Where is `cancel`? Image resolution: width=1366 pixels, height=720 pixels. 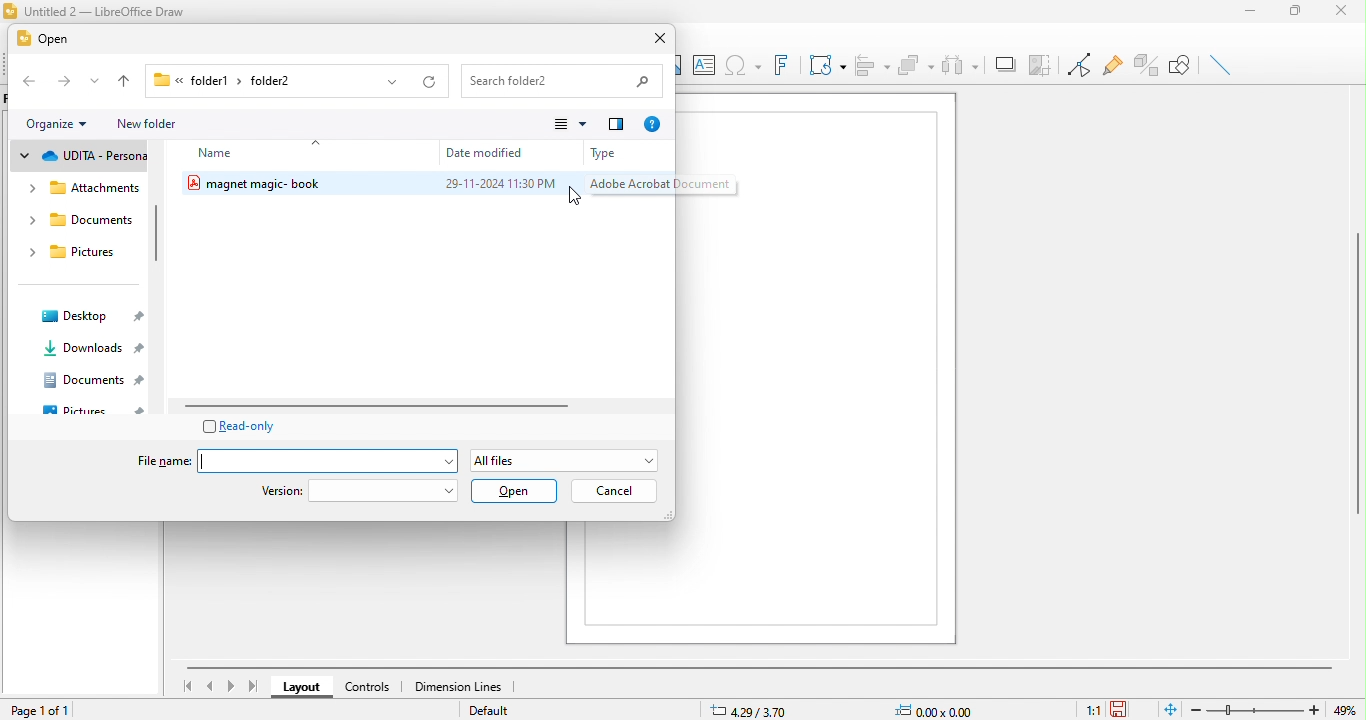 cancel is located at coordinates (614, 492).